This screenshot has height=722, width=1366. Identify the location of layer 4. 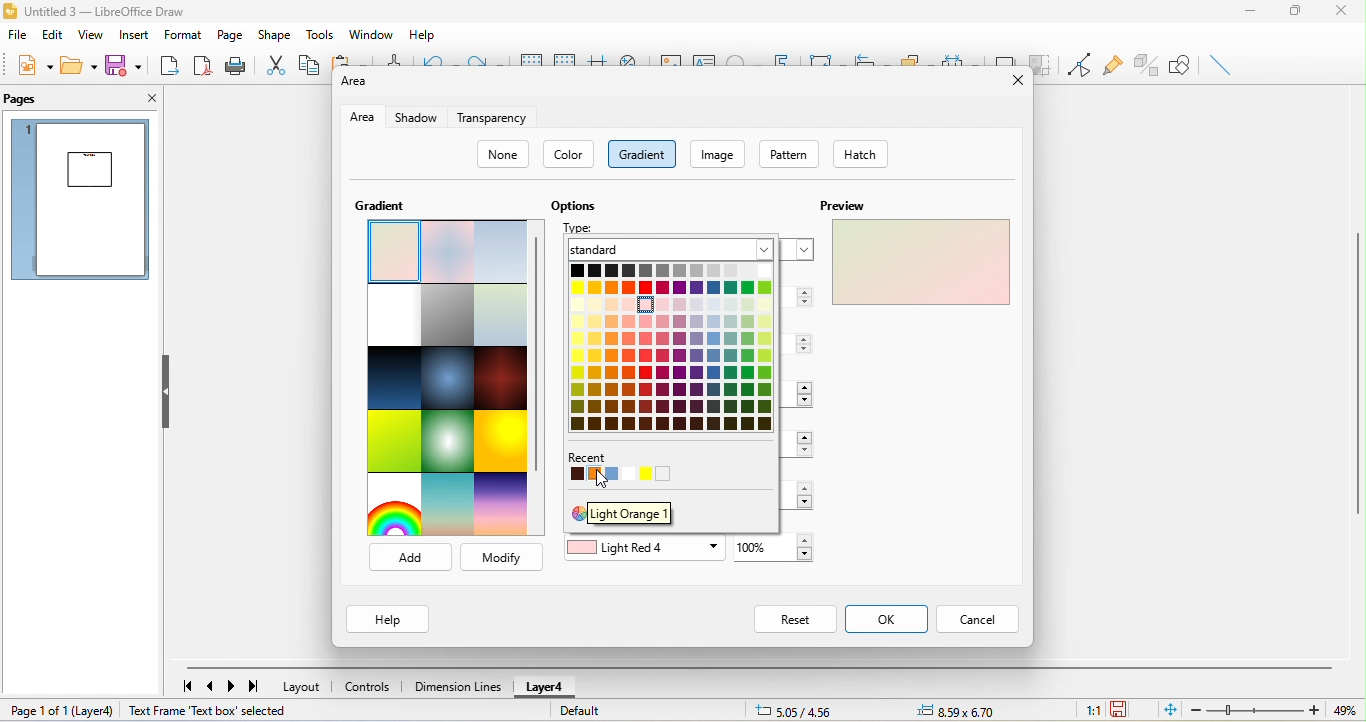
(543, 689).